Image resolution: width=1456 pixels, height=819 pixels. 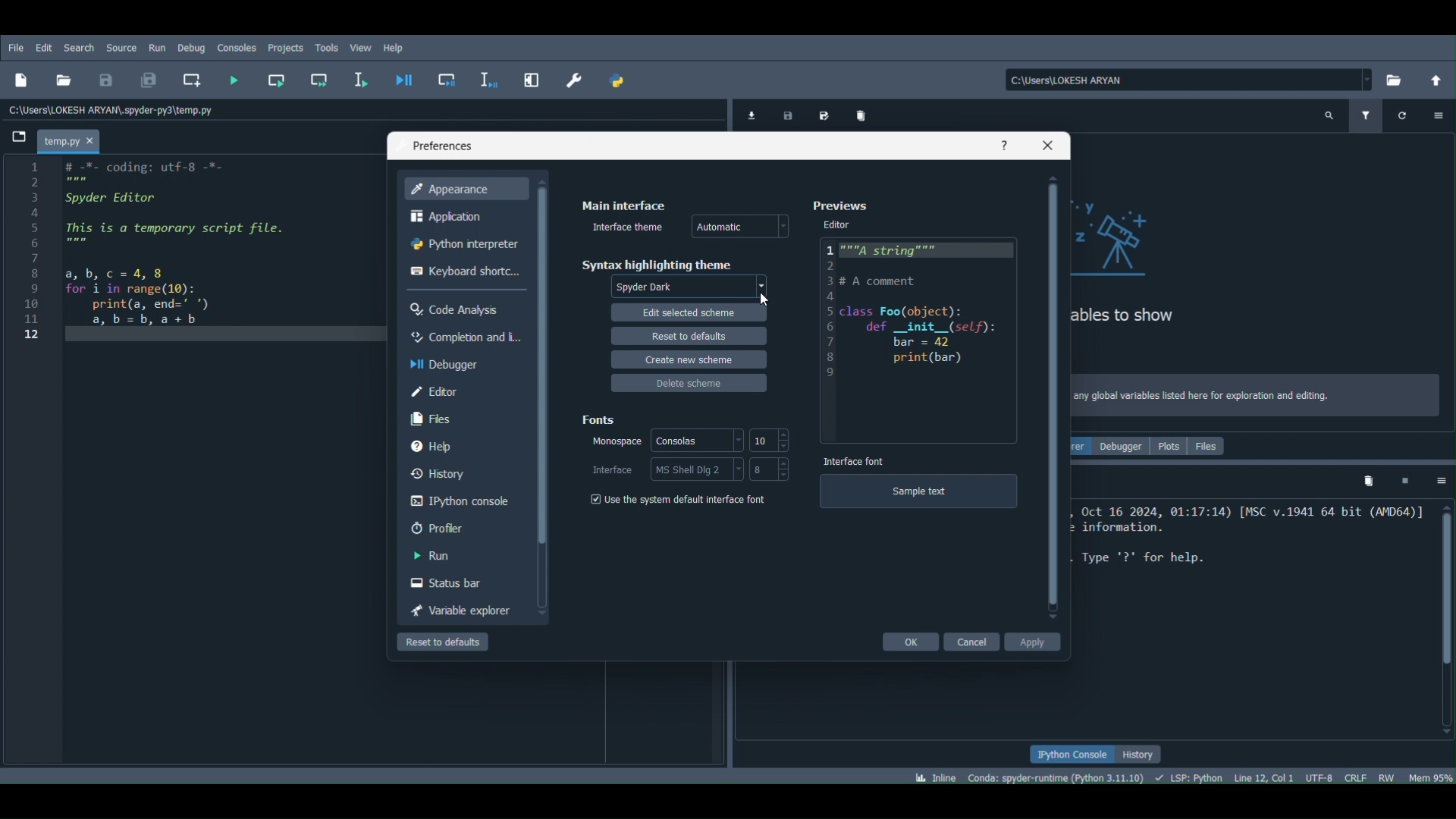 I want to click on IPython console, so click(x=468, y=500).